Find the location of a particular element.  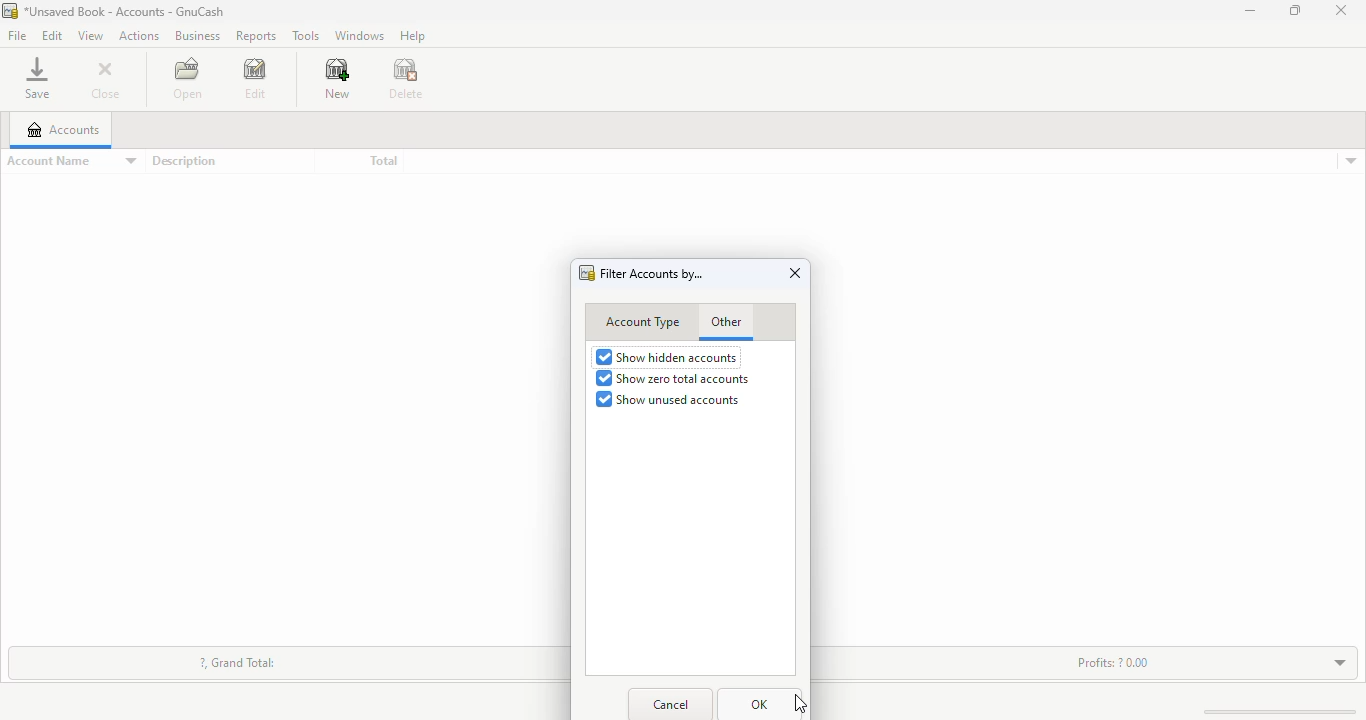

close is located at coordinates (1341, 11).